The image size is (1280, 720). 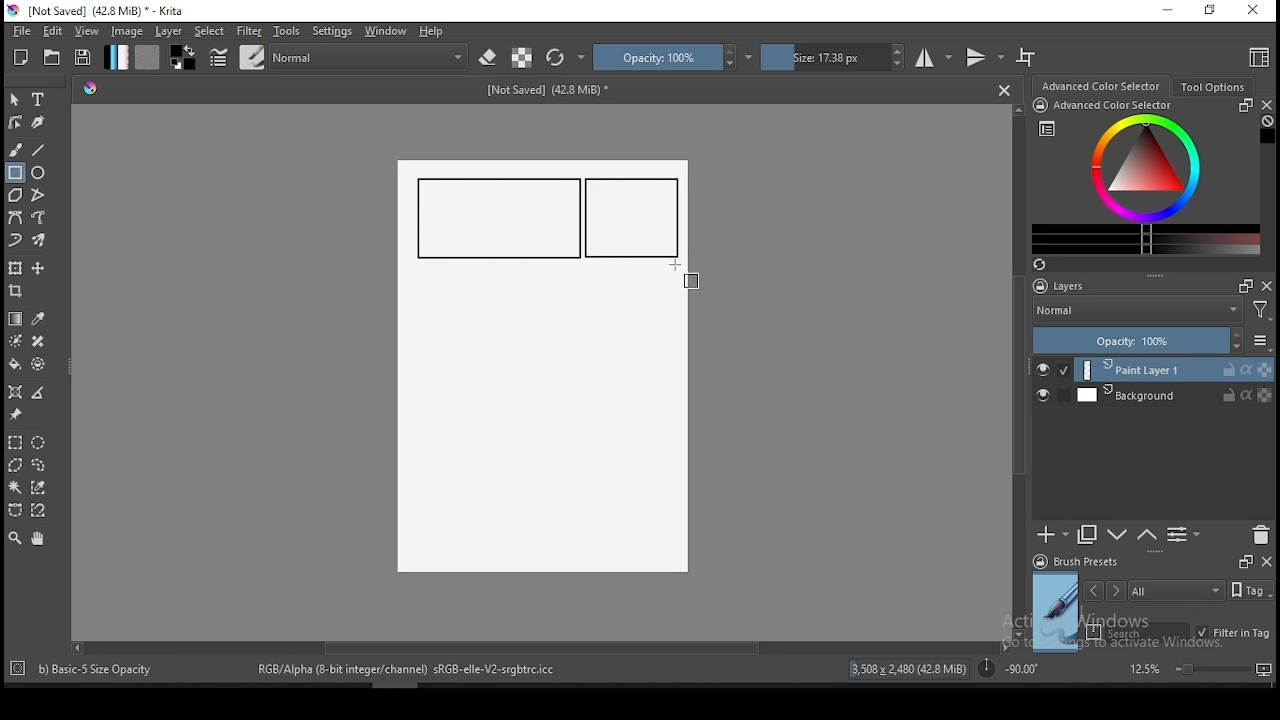 I want to click on assistant tool, so click(x=15, y=392).